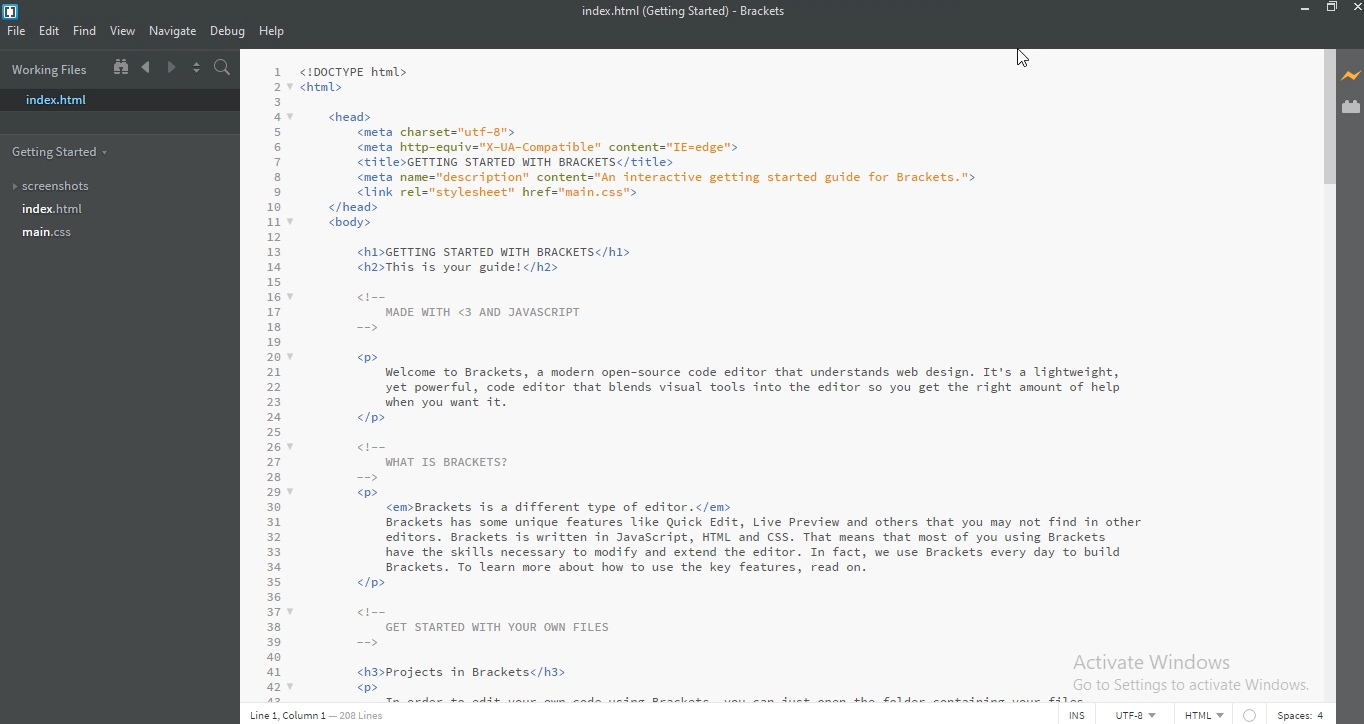  I want to click on logo, so click(10, 11).